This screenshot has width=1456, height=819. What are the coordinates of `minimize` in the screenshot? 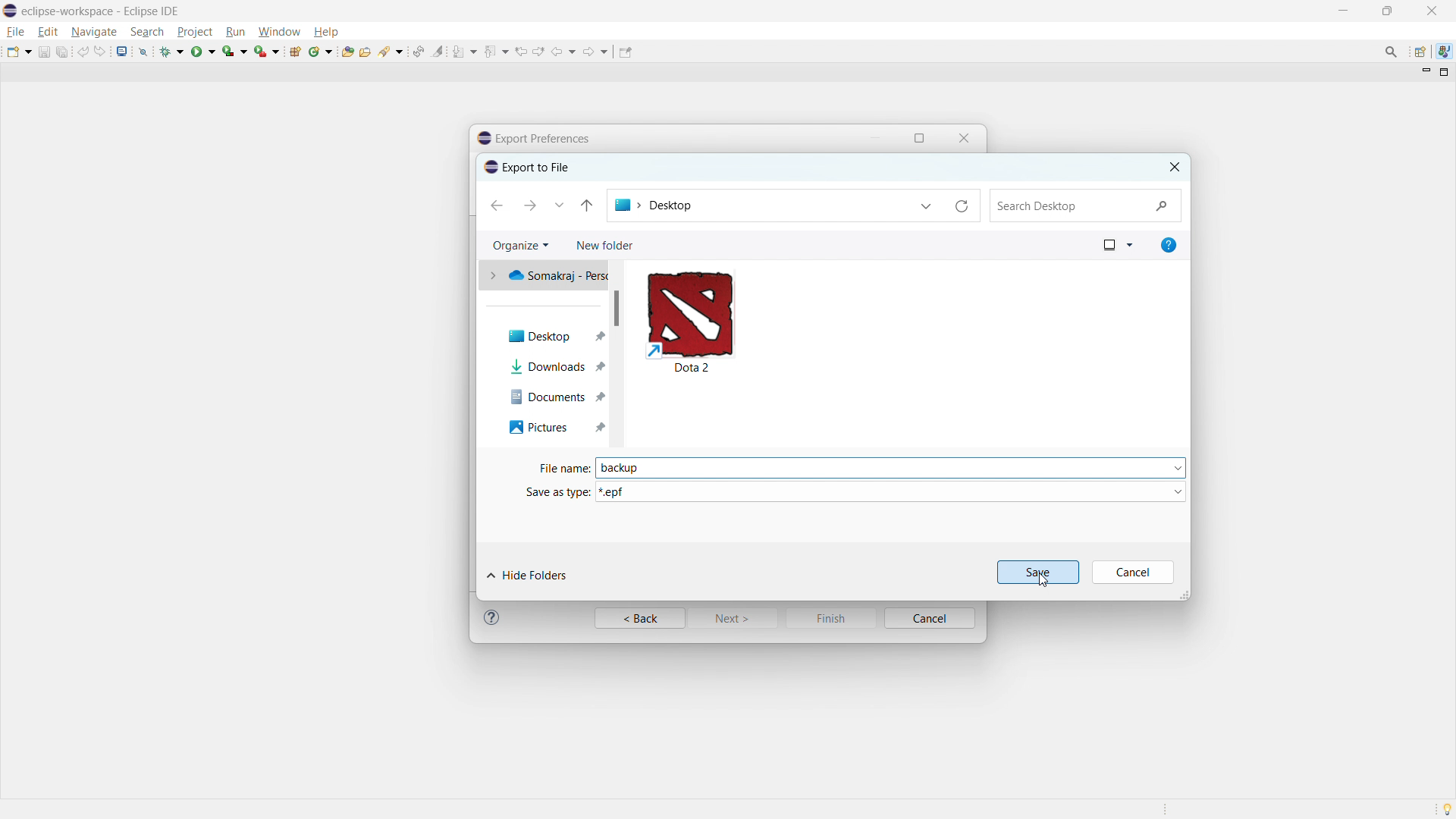 It's located at (1341, 10).